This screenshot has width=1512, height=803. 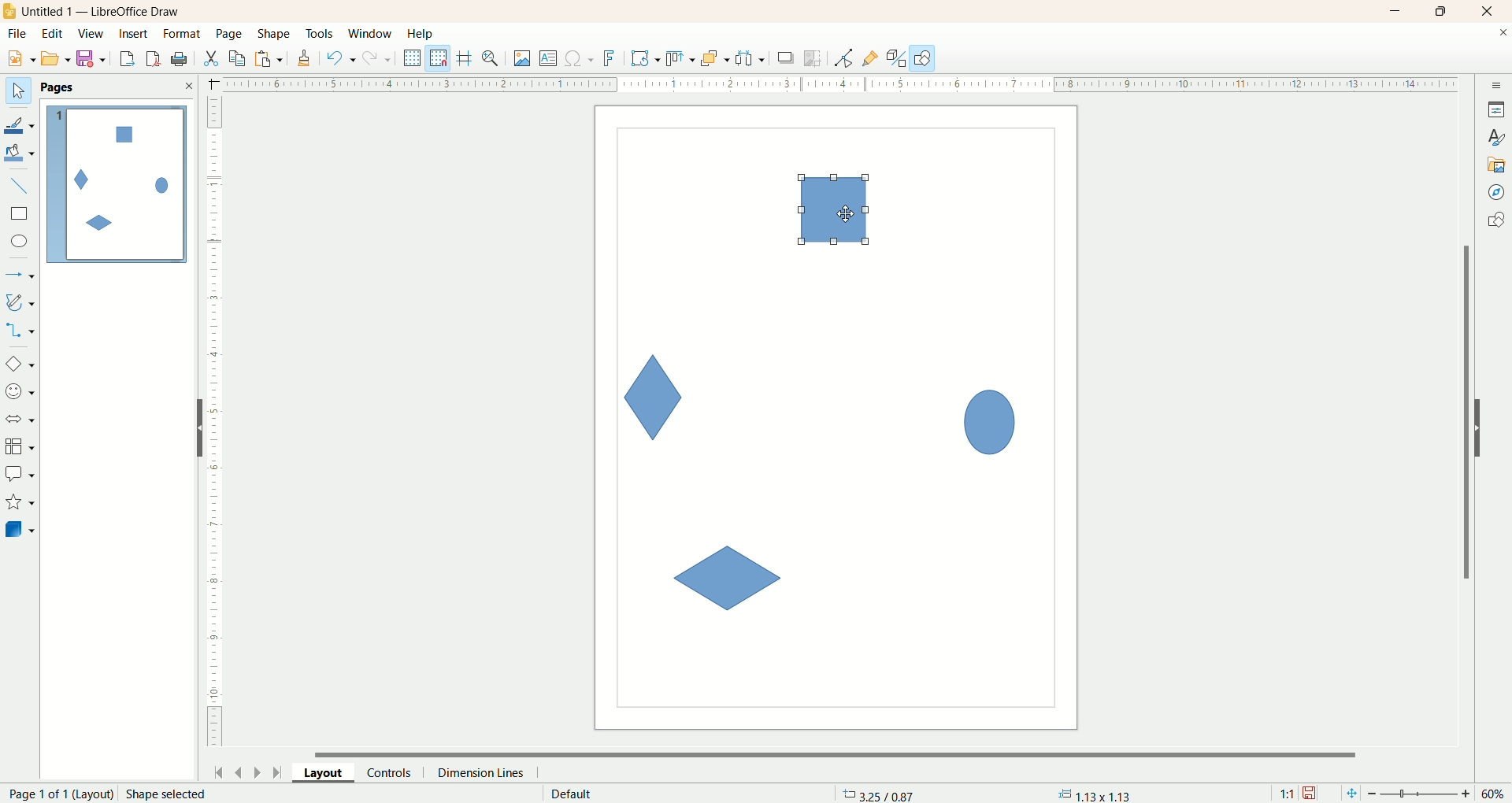 I want to click on helplines, so click(x=467, y=58).